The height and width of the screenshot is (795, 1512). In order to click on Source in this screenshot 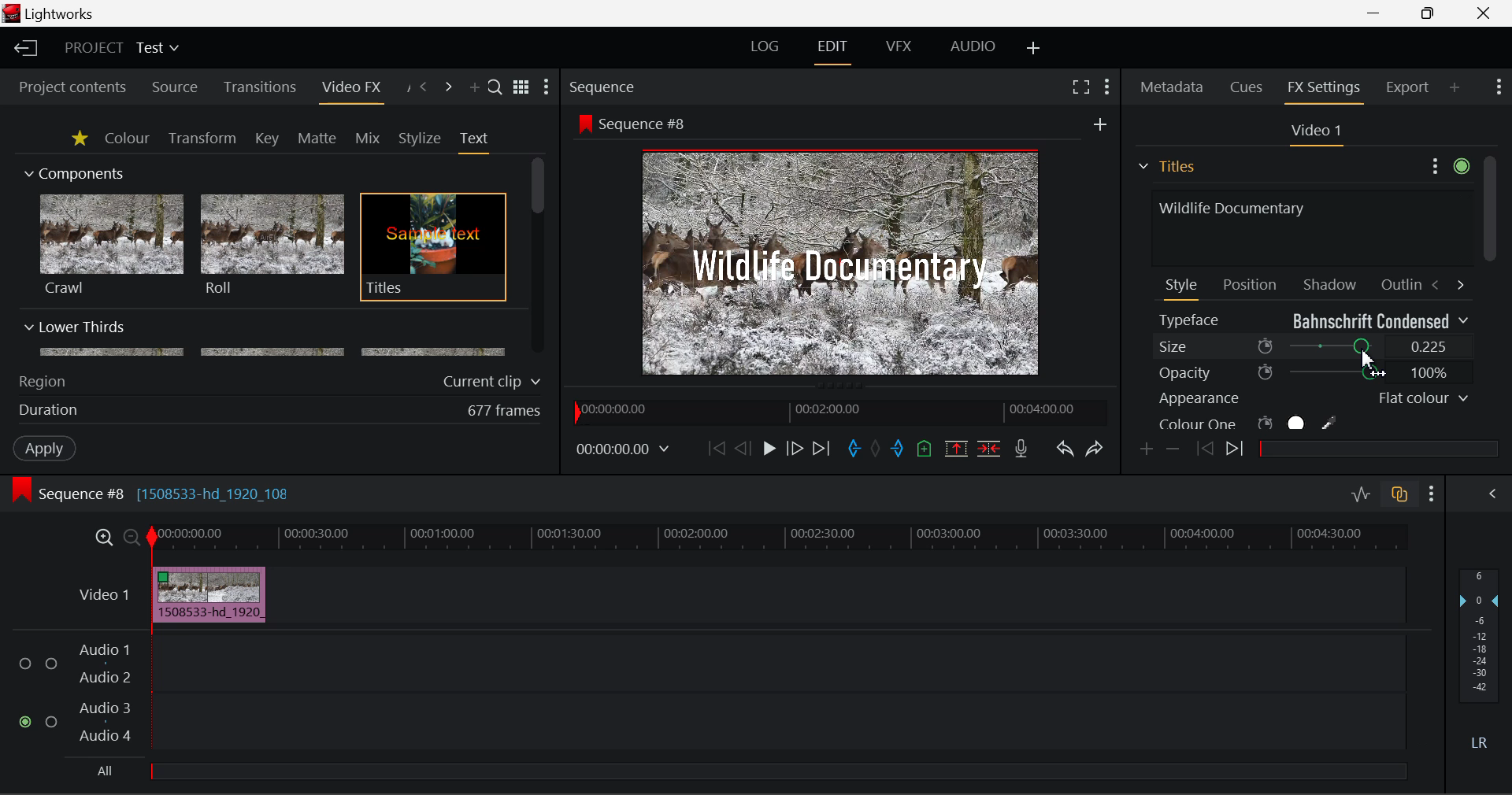, I will do `click(175, 89)`.